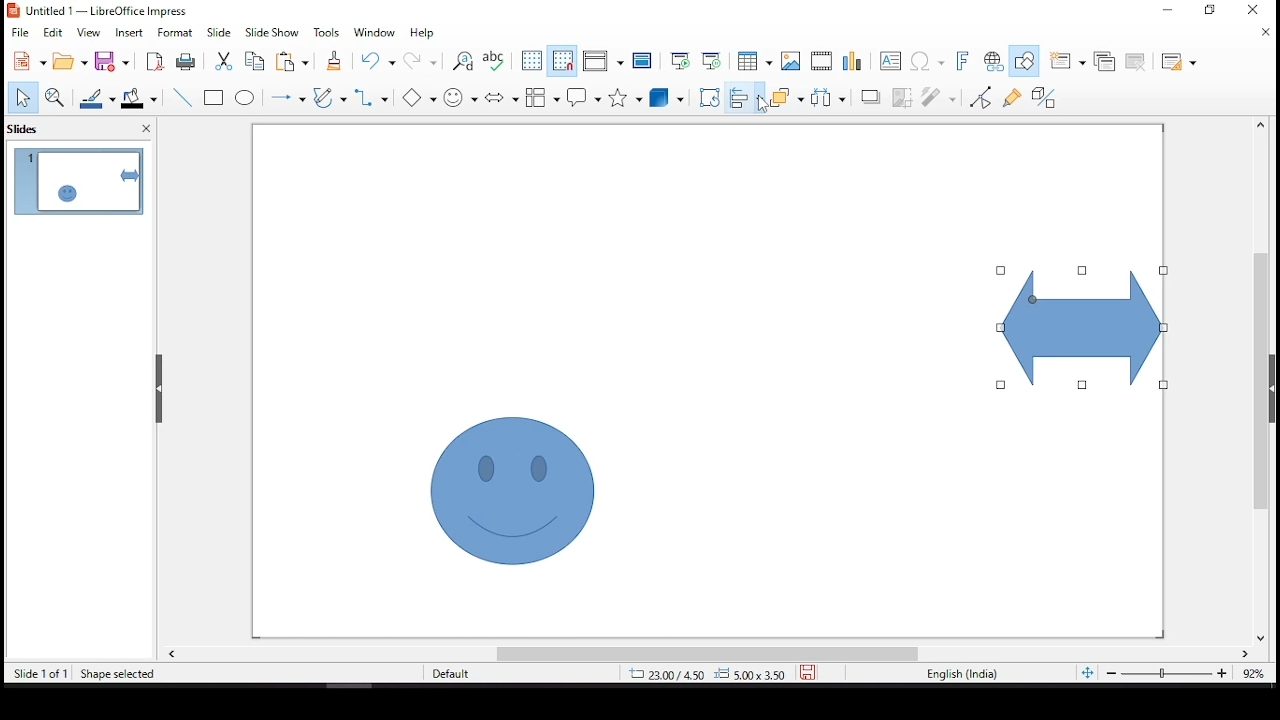  Describe the element at coordinates (603, 62) in the screenshot. I see `display views` at that location.